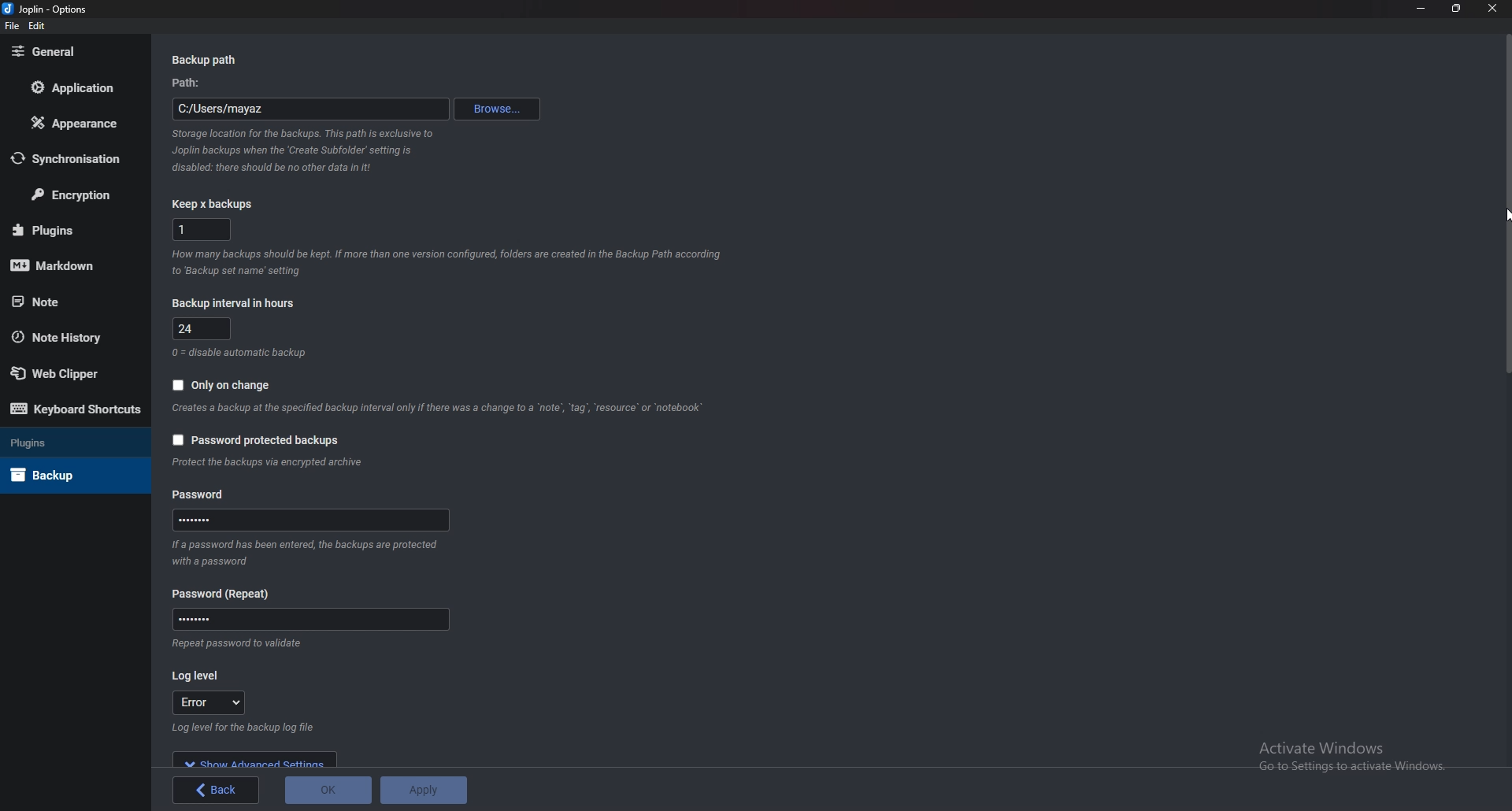 Image resolution: width=1512 pixels, height=811 pixels. Describe the element at coordinates (71, 229) in the screenshot. I see `Plugins` at that location.